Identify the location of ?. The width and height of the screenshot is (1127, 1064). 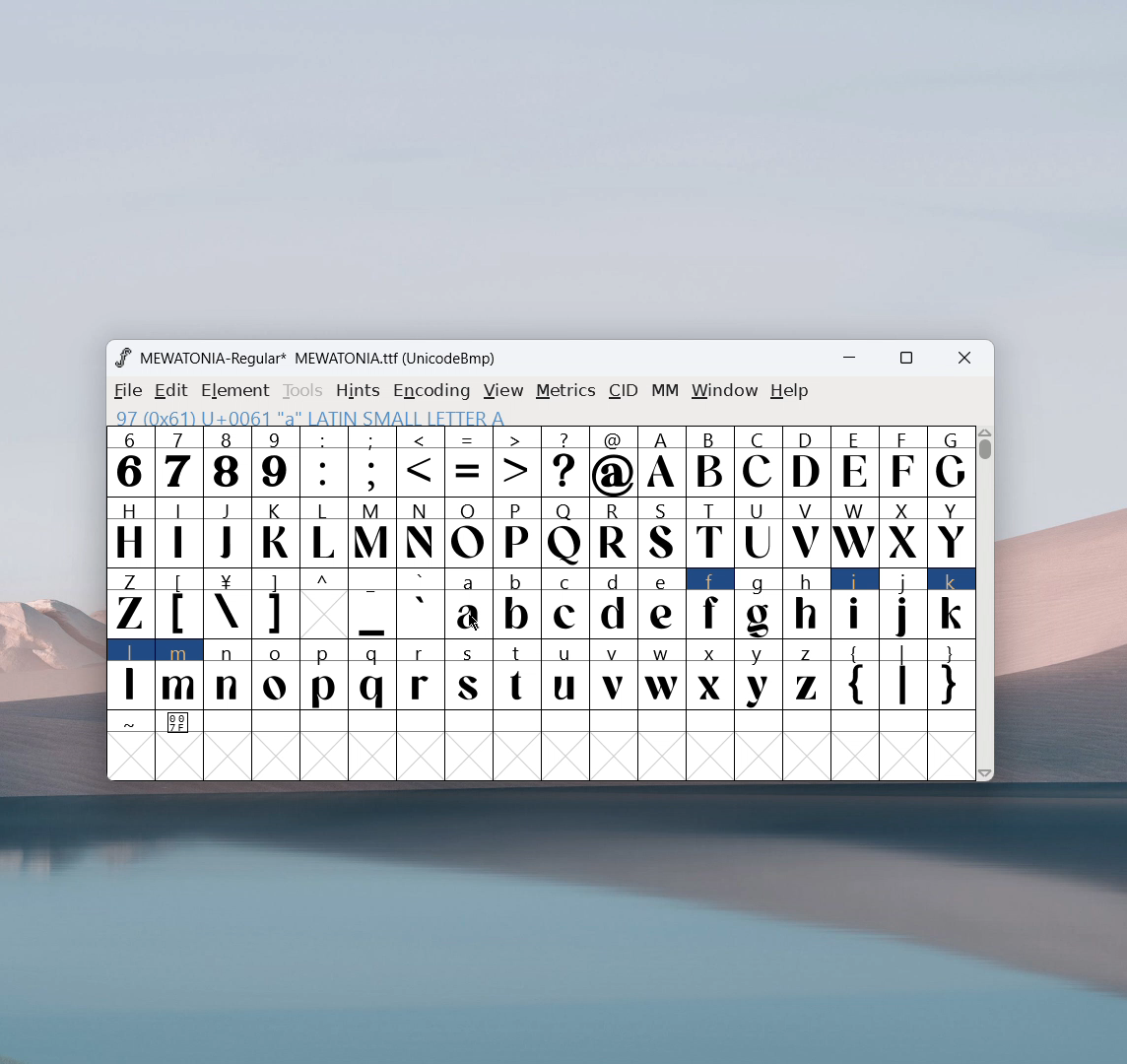
(565, 463).